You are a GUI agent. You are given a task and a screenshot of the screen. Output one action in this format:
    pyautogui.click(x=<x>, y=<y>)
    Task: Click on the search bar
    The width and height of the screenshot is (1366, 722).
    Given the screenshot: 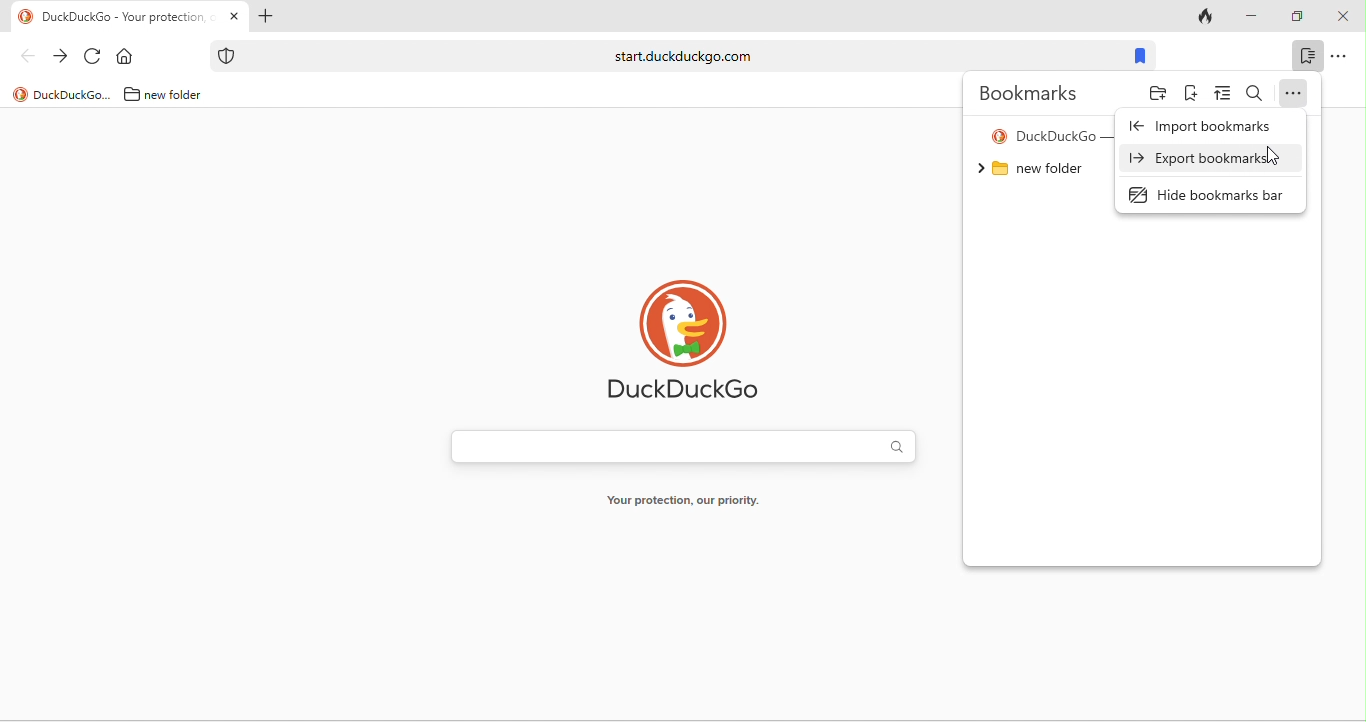 What is the action you would take?
    pyautogui.click(x=685, y=446)
    